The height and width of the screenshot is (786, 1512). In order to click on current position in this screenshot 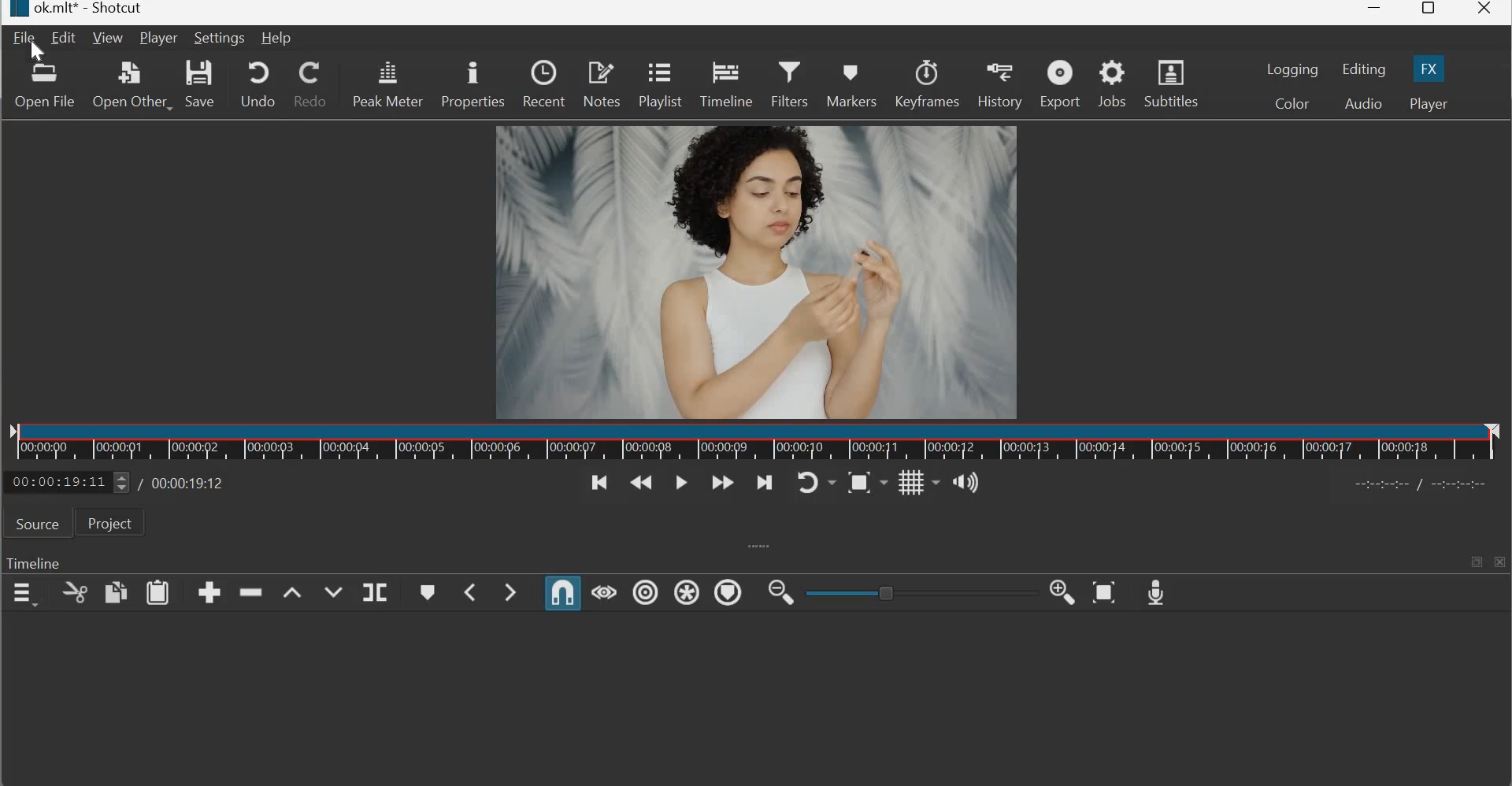, I will do `click(69, 480)`.